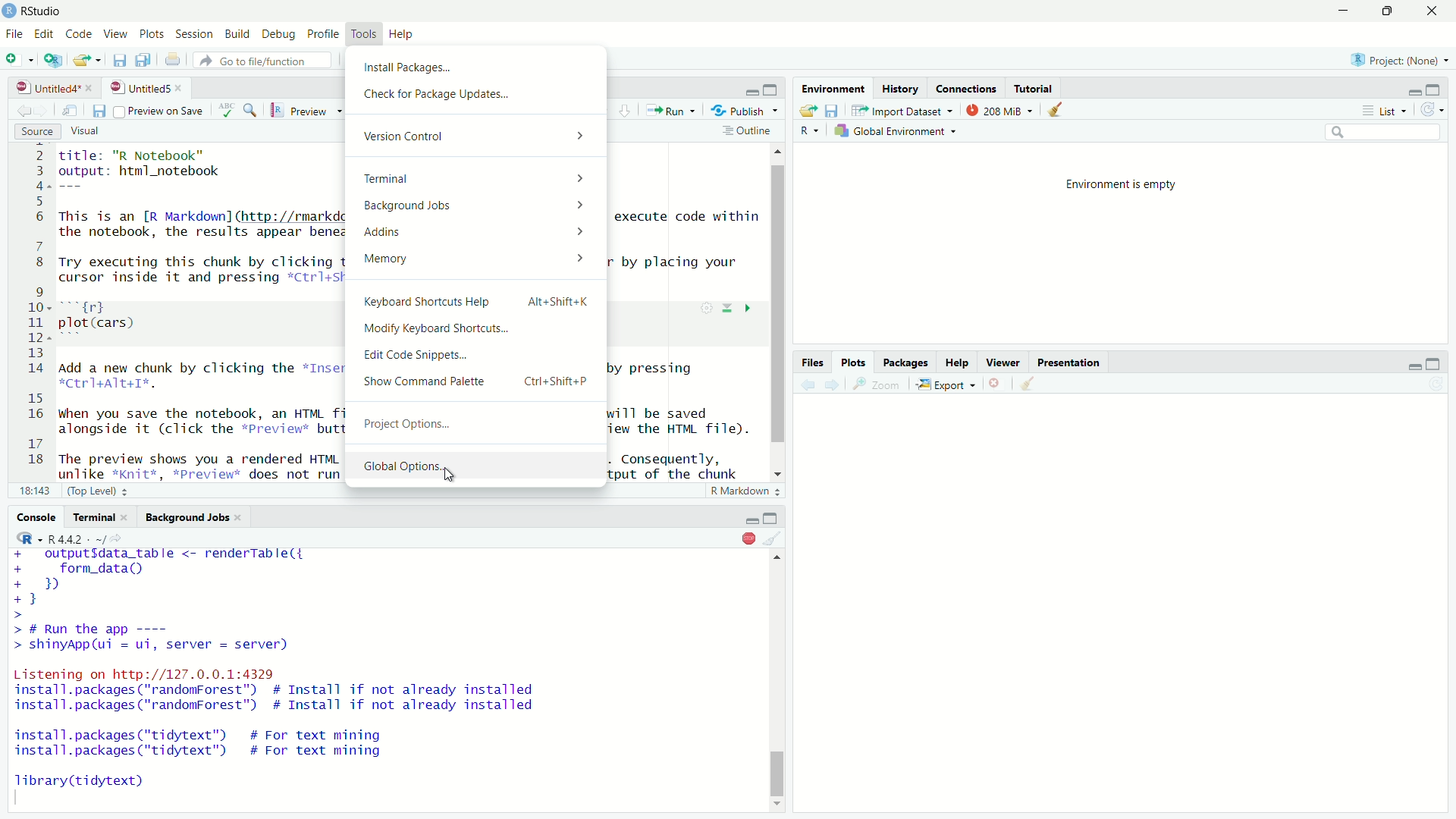 This screenshot has width=1456, height=819. Describe the element at coordinates (21, 111) in the screenshot. I see `move forward` at that location.